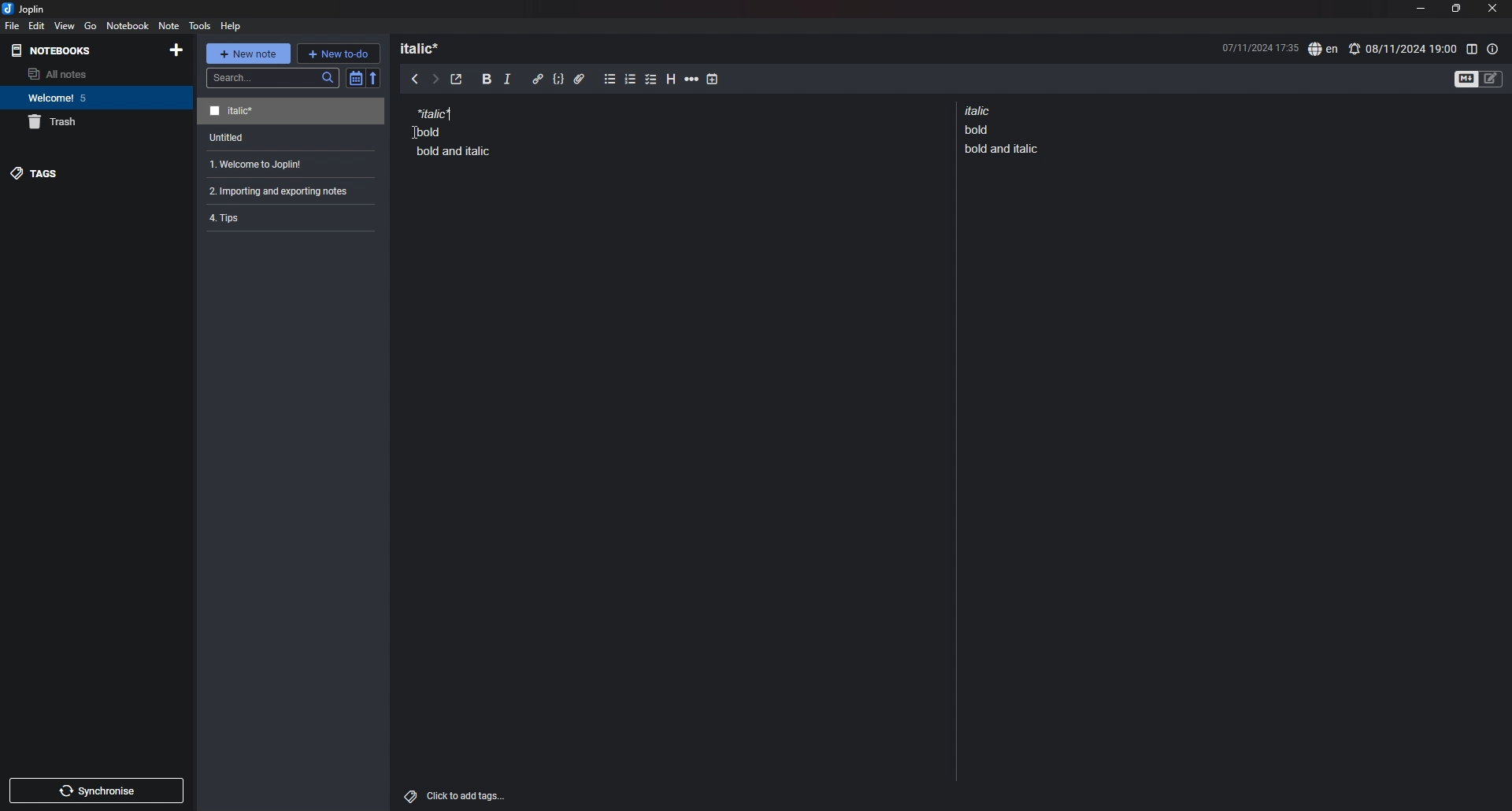 The image size is (1512, 811). What do you see at coordinates (457, 80) in the screenshot?
I see `toggle external editor` at bounding box center [457, 80].